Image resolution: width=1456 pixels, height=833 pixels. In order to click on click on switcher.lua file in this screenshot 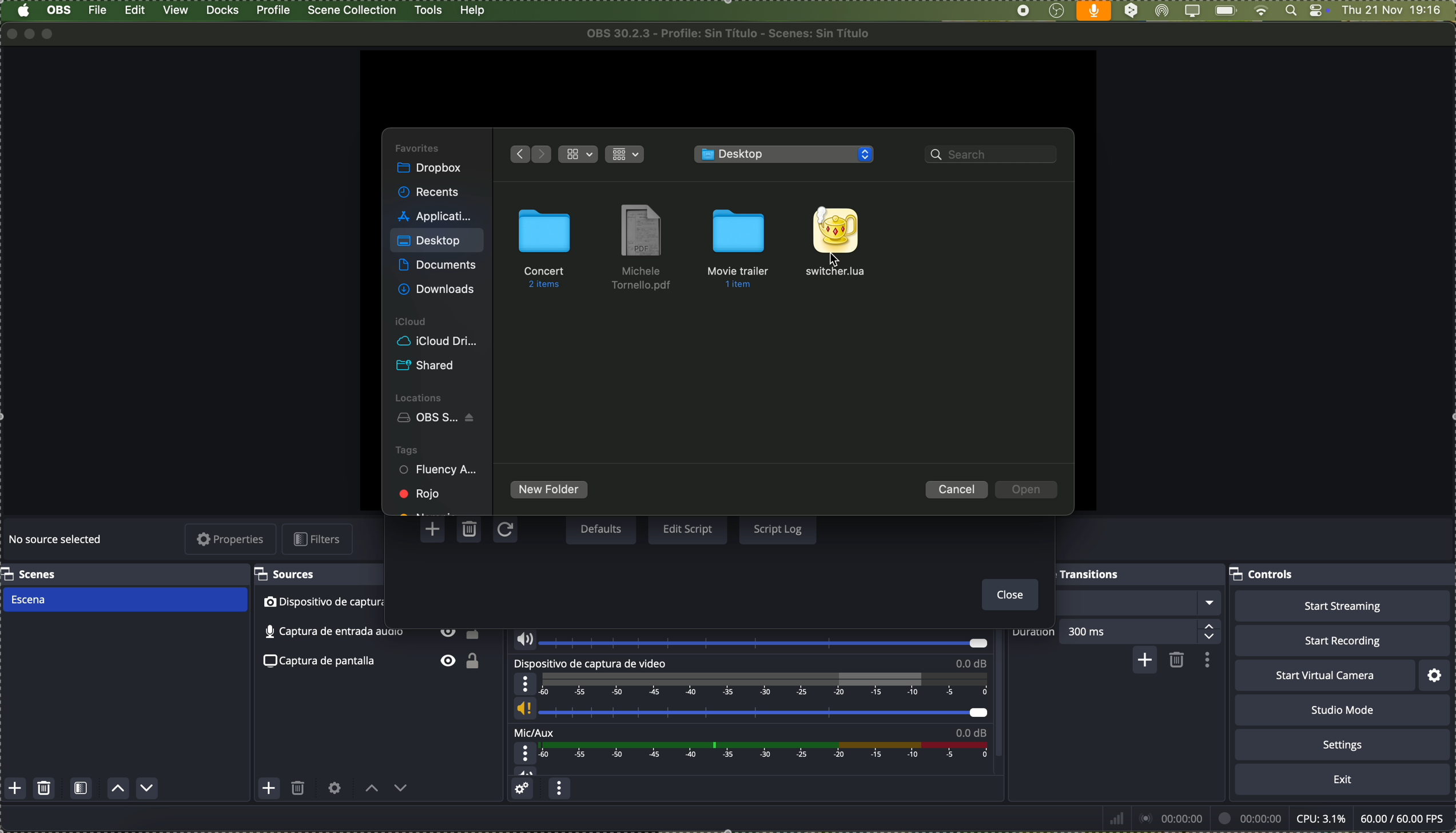, I will do `click(836, 243)`.